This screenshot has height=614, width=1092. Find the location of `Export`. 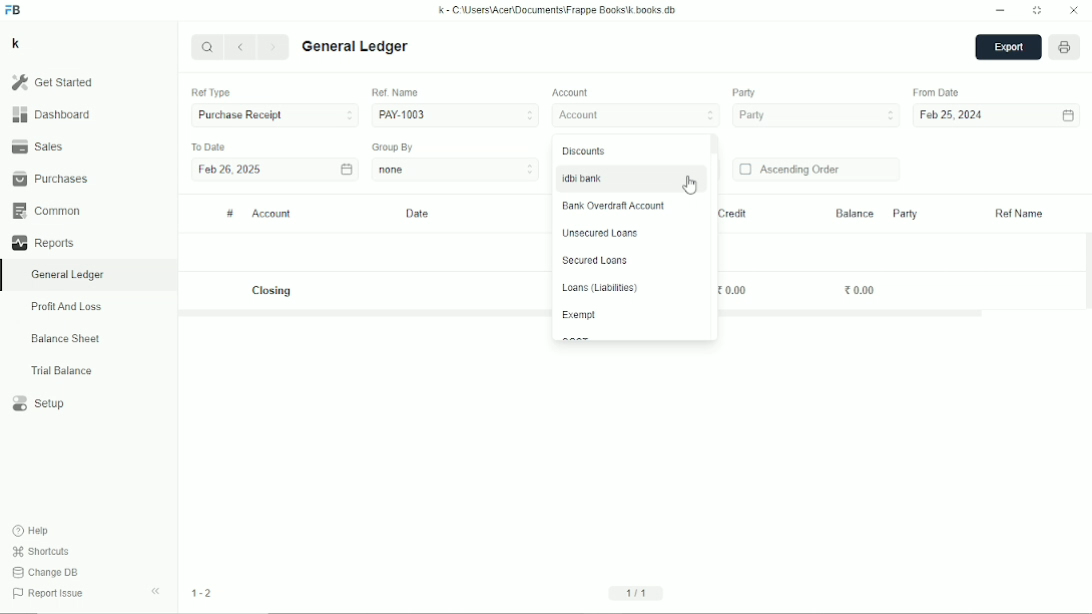

Export is located at coordinates (1008, 48).